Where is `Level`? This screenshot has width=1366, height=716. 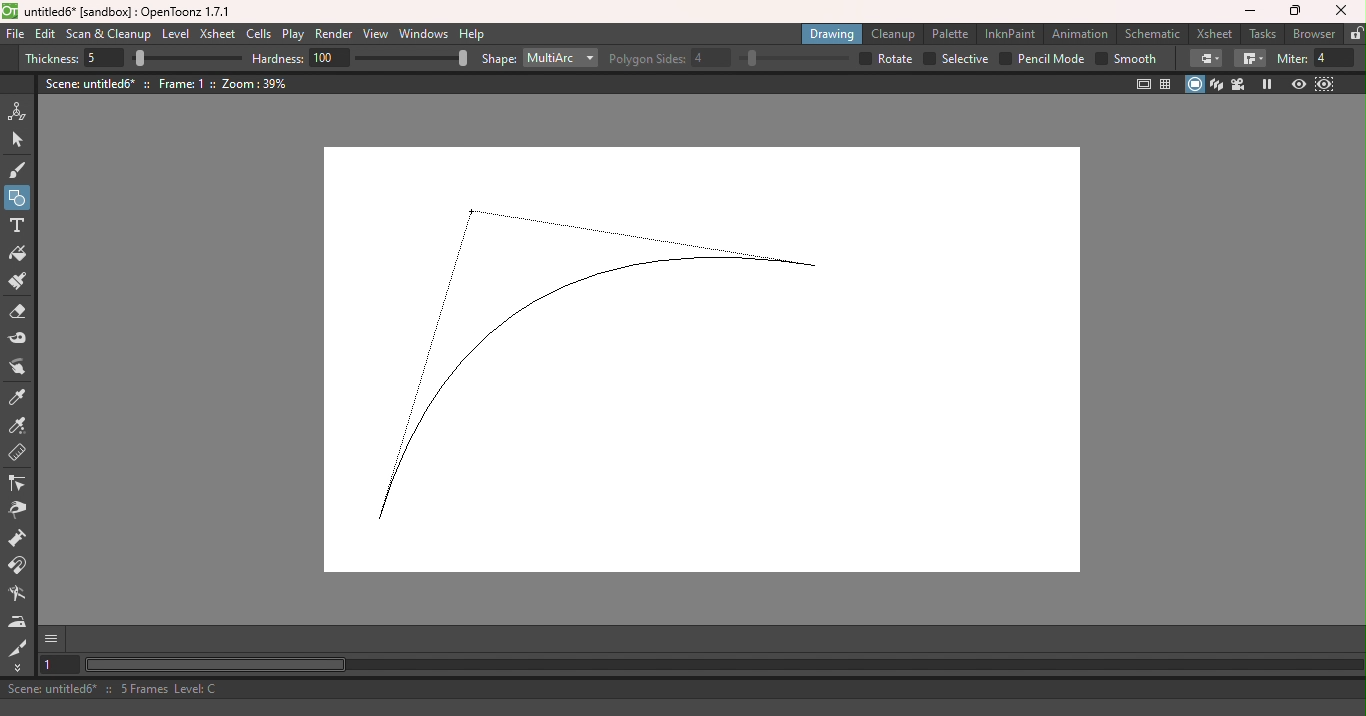
Level is located at coordinates (175, 34).